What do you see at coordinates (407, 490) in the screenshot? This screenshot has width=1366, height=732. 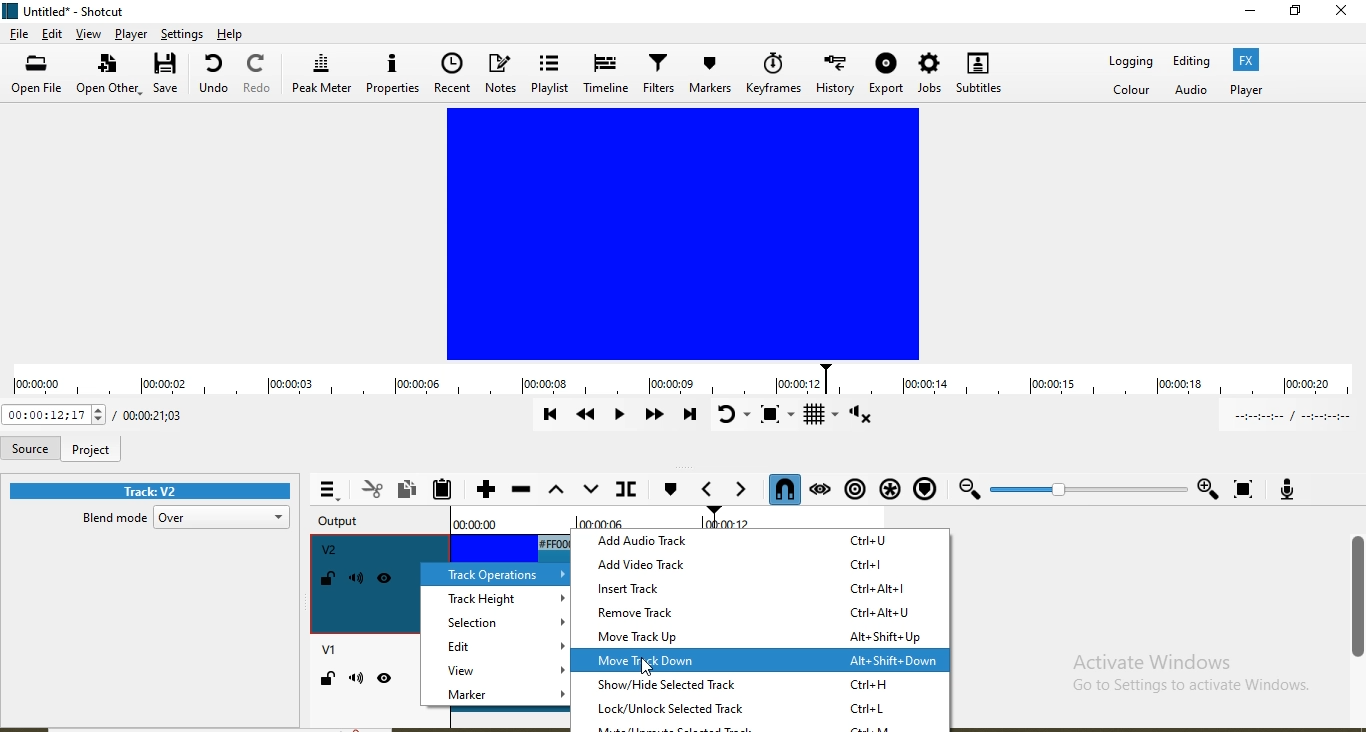 I see `Copy` at bounding box center [407, 490].